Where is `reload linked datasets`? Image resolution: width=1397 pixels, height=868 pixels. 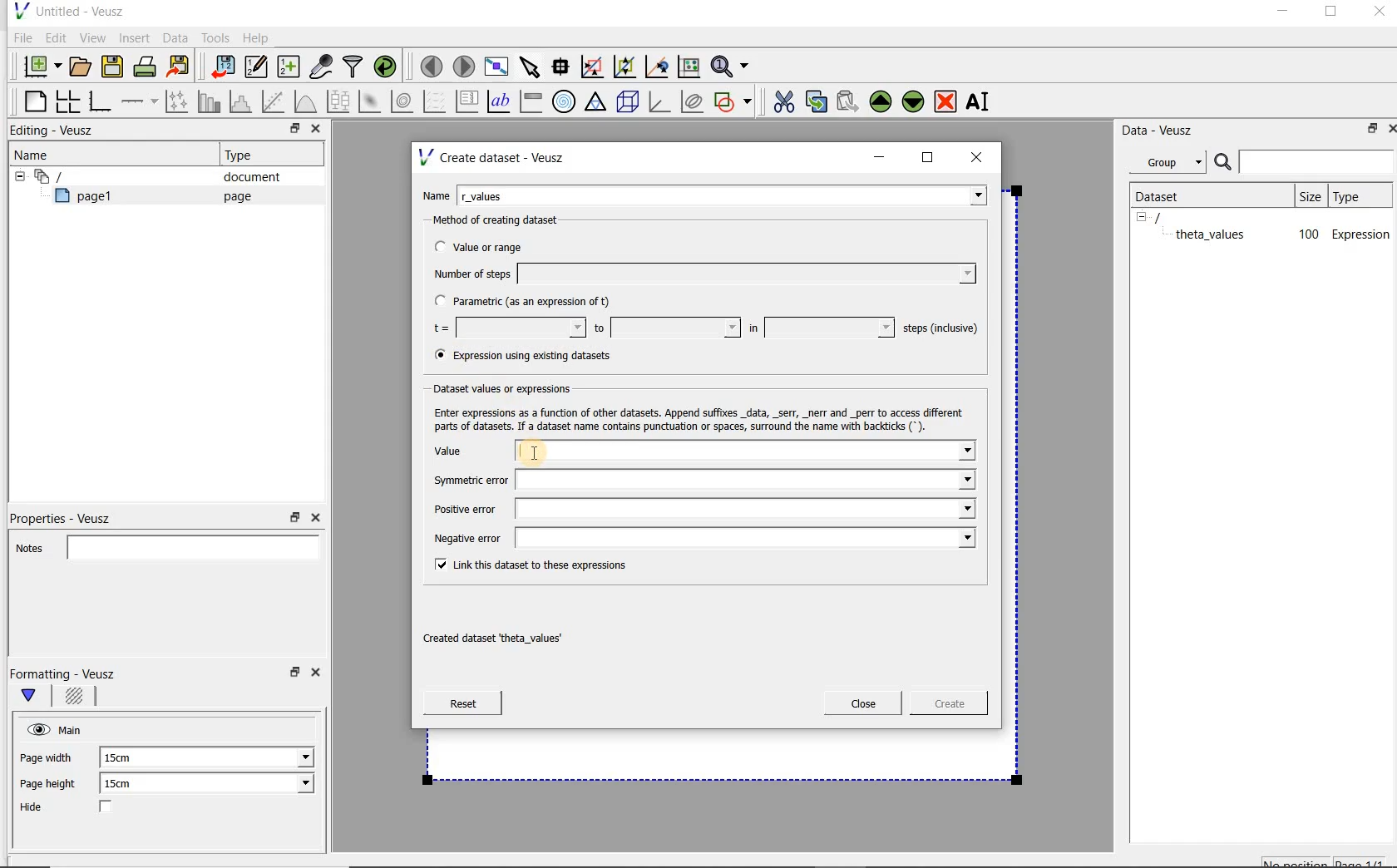 reload linked datasets is located at coordinates (388, 67).